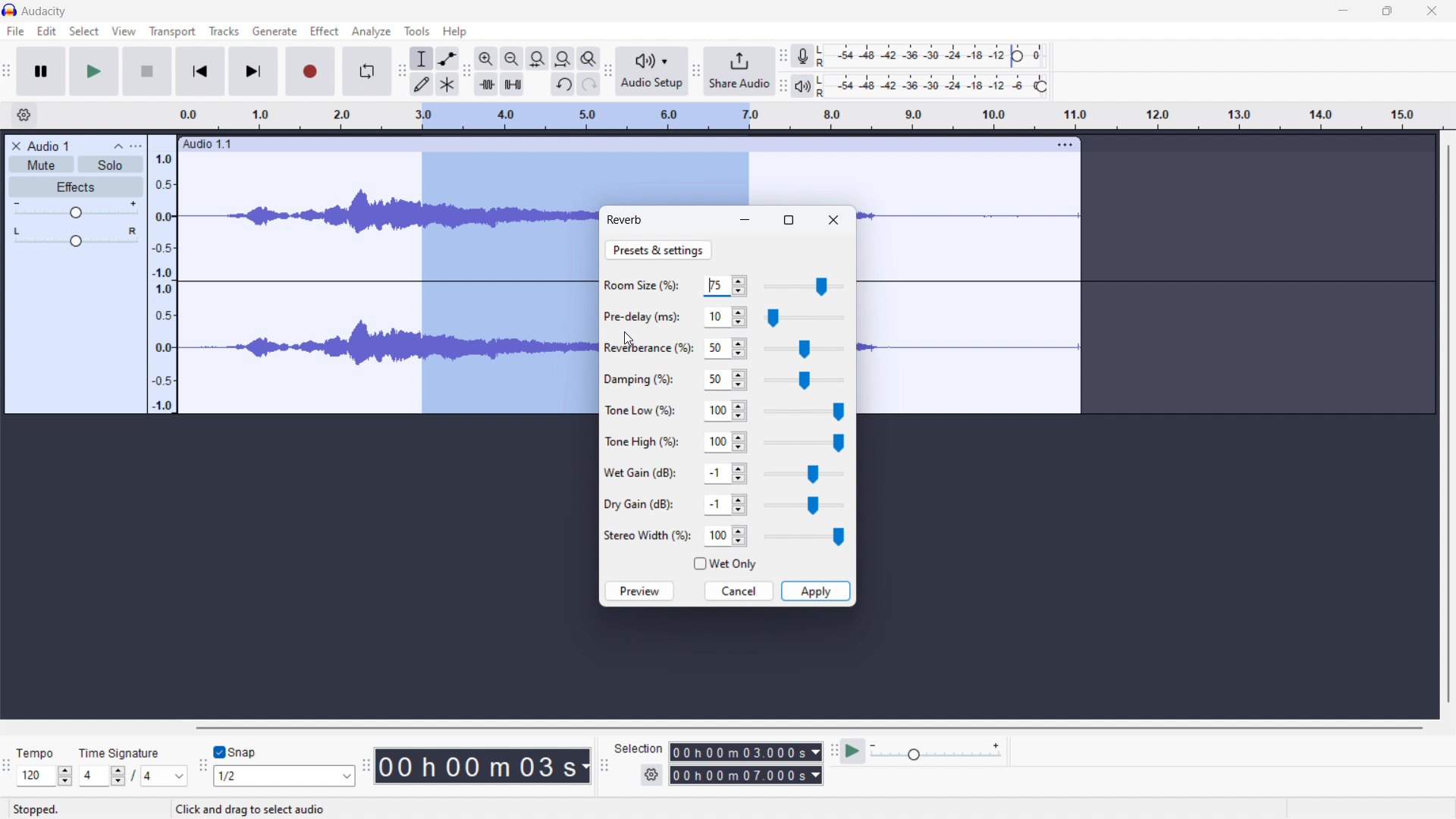  What do you see at coordinates (726, 535) in the screenshot?
I see `100` at bounding box center [726, 535].